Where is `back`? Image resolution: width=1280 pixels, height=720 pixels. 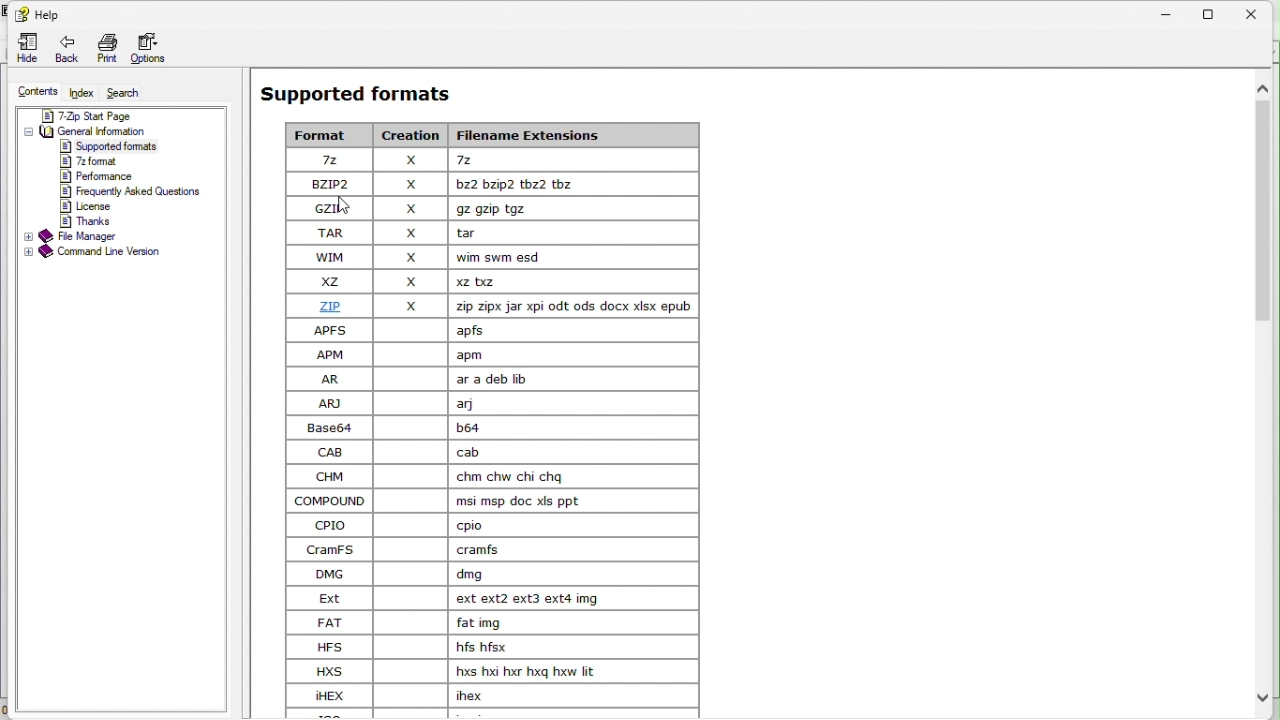
back is located at coordinates (64, 46).